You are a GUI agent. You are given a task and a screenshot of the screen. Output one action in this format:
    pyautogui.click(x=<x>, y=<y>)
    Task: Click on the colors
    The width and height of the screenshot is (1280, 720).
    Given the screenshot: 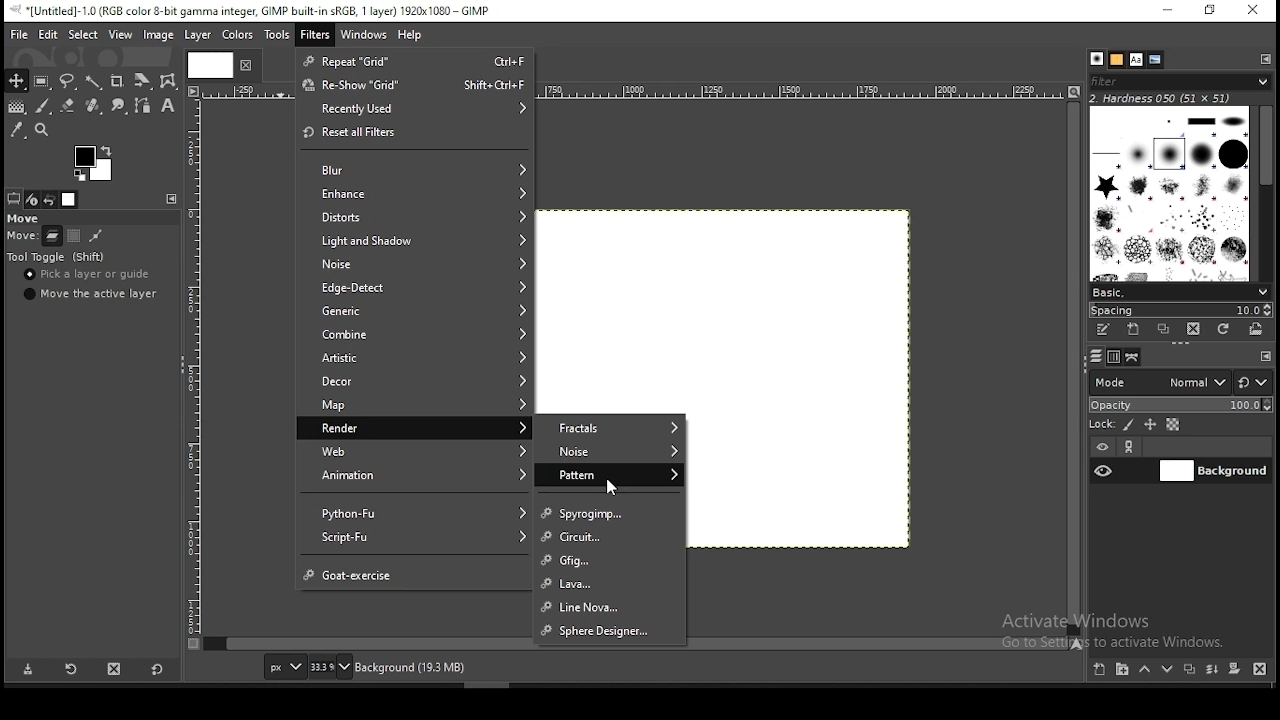 What is the action you would take?
    pyautogui.click(x=236, y=36)
    